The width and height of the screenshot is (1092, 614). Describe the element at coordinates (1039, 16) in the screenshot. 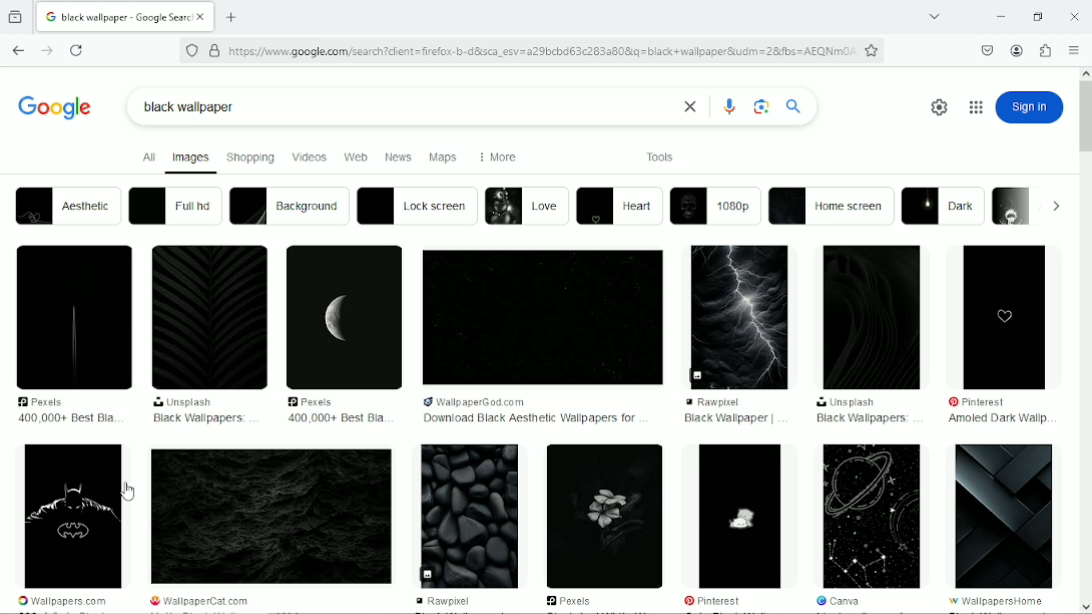

I see `restore down` at that location.